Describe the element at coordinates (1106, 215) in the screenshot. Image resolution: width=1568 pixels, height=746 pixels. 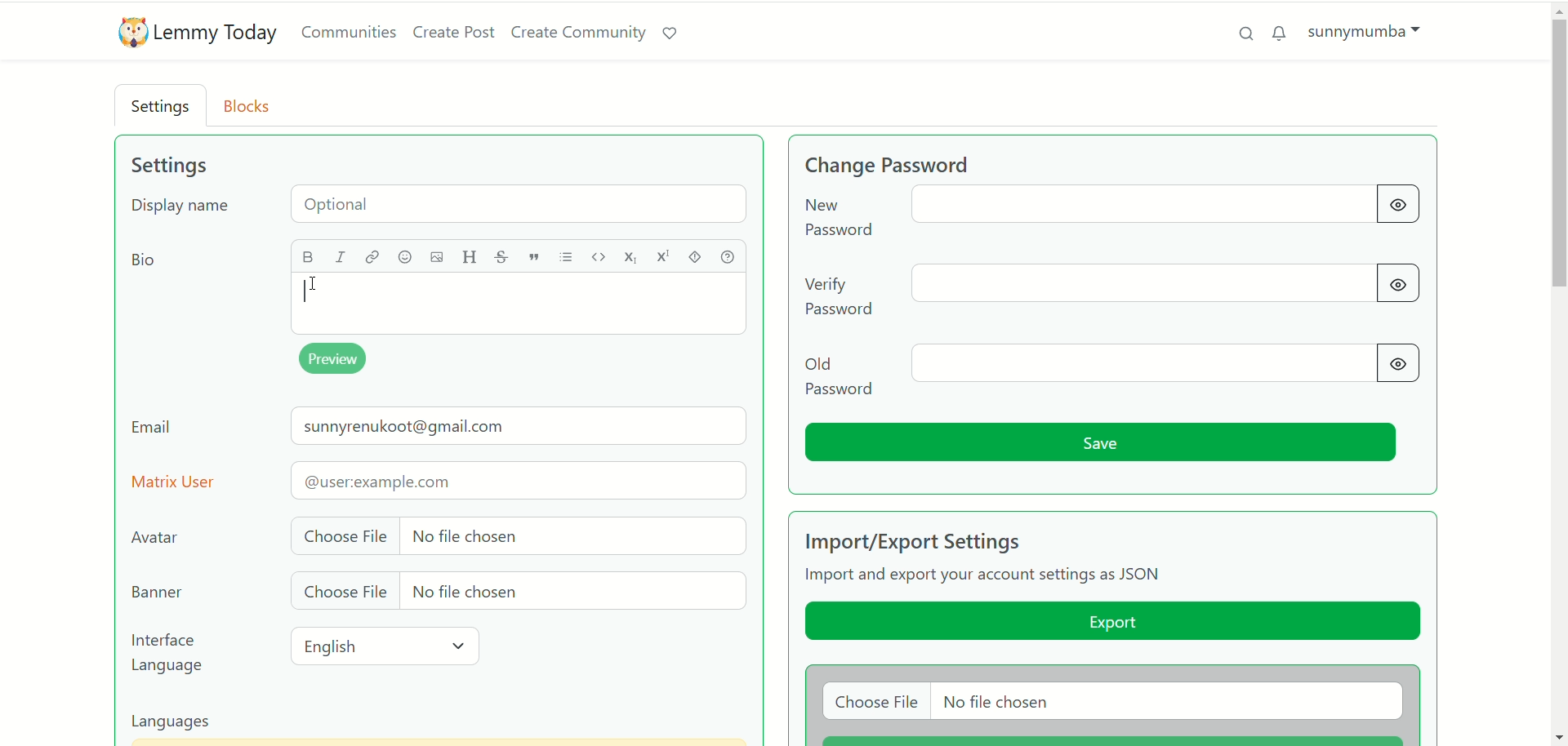
I see `change password` at that location.